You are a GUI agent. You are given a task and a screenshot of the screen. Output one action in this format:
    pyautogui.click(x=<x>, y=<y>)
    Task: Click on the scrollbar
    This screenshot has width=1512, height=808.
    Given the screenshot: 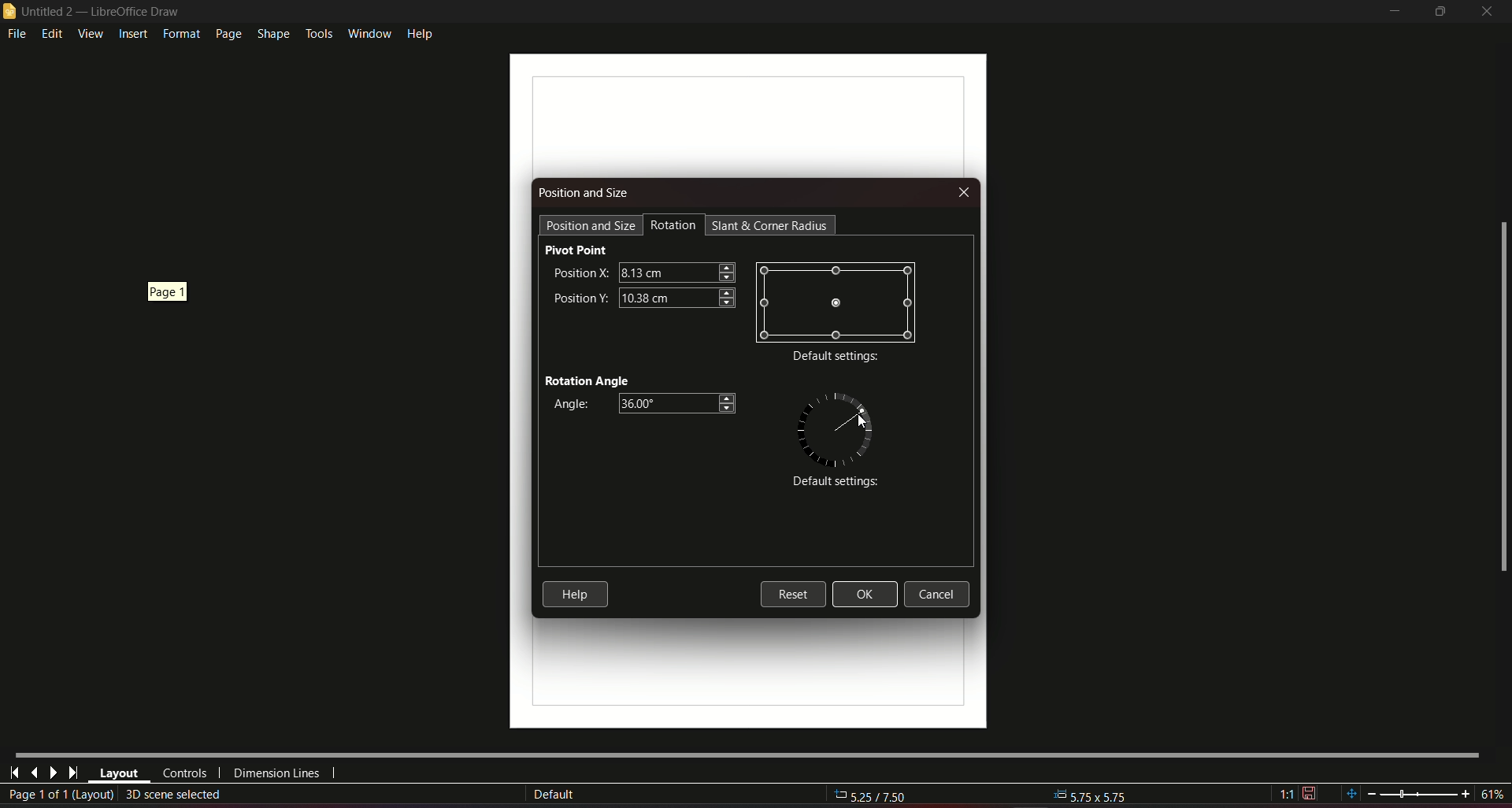 What is the action you would take?
    pyautogui.click(x=1502, y=398)
    